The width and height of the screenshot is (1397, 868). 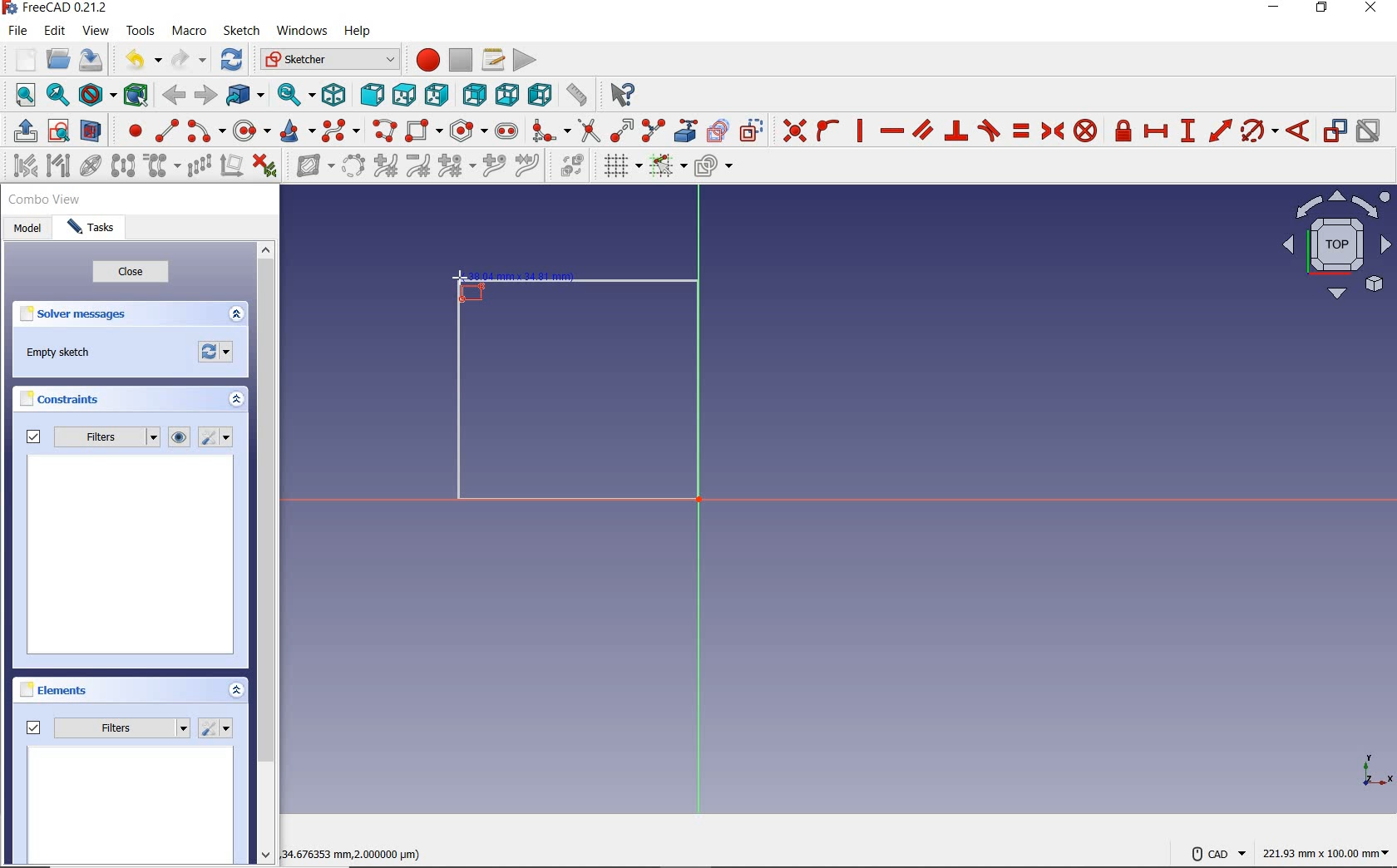 I want to click on edit, so click(x=55, y=32).